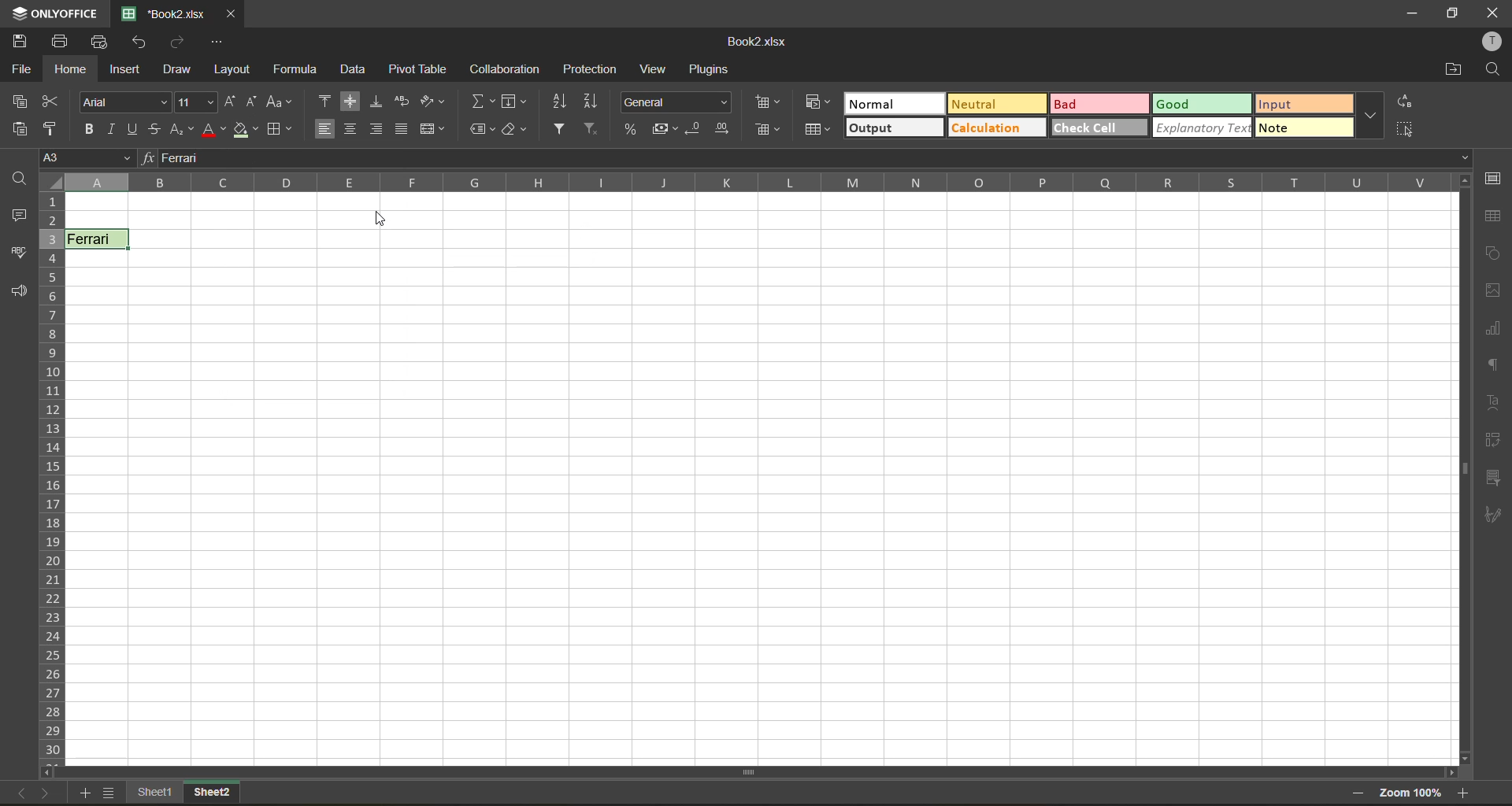  What do you see at coordinates (87, 128) in the screenshot?
I see `bold` at bounding box center [87, 128].